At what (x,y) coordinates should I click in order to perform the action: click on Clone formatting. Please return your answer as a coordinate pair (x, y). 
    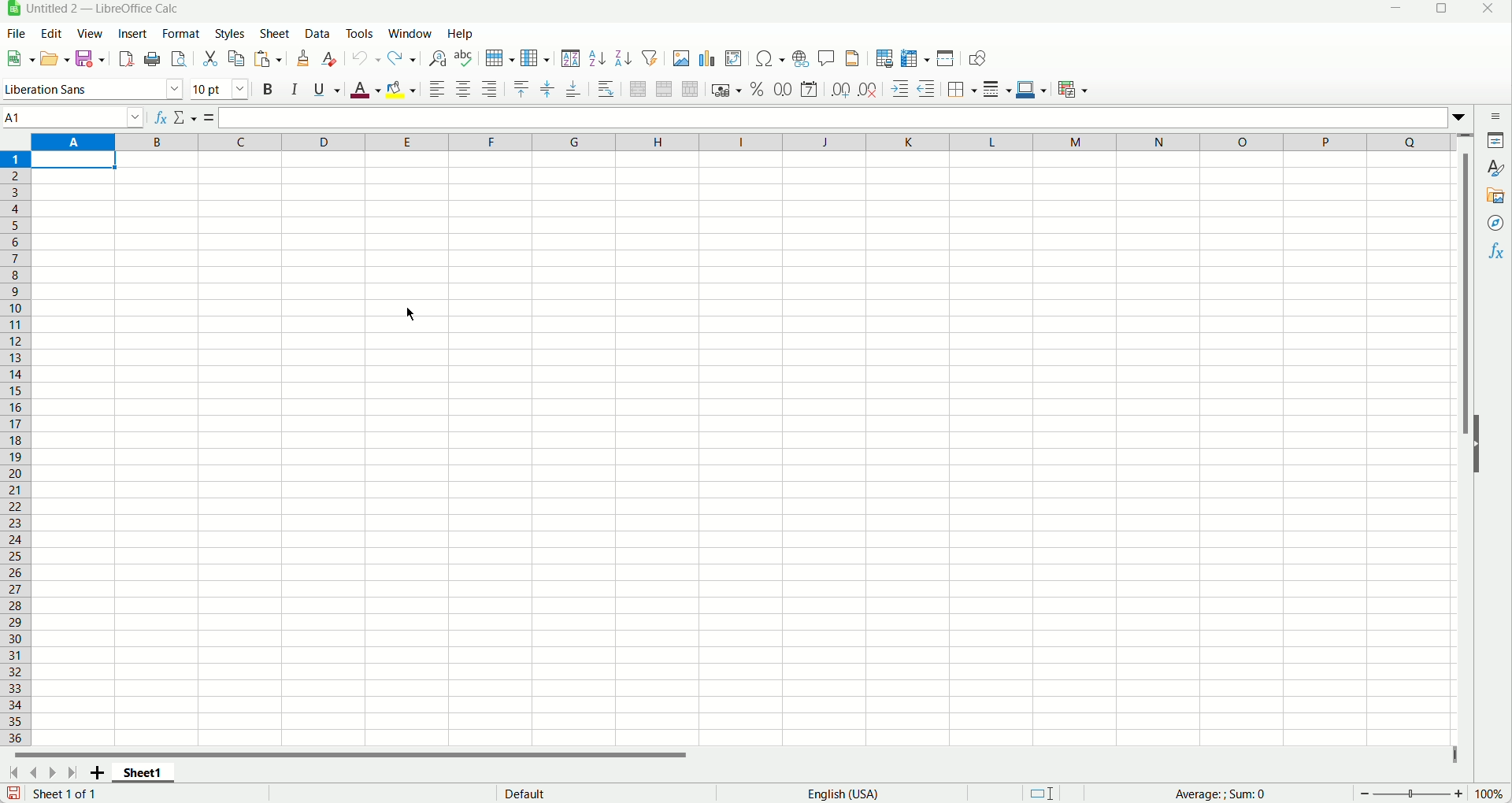
    Looking at the image, I should click on (304, 57).